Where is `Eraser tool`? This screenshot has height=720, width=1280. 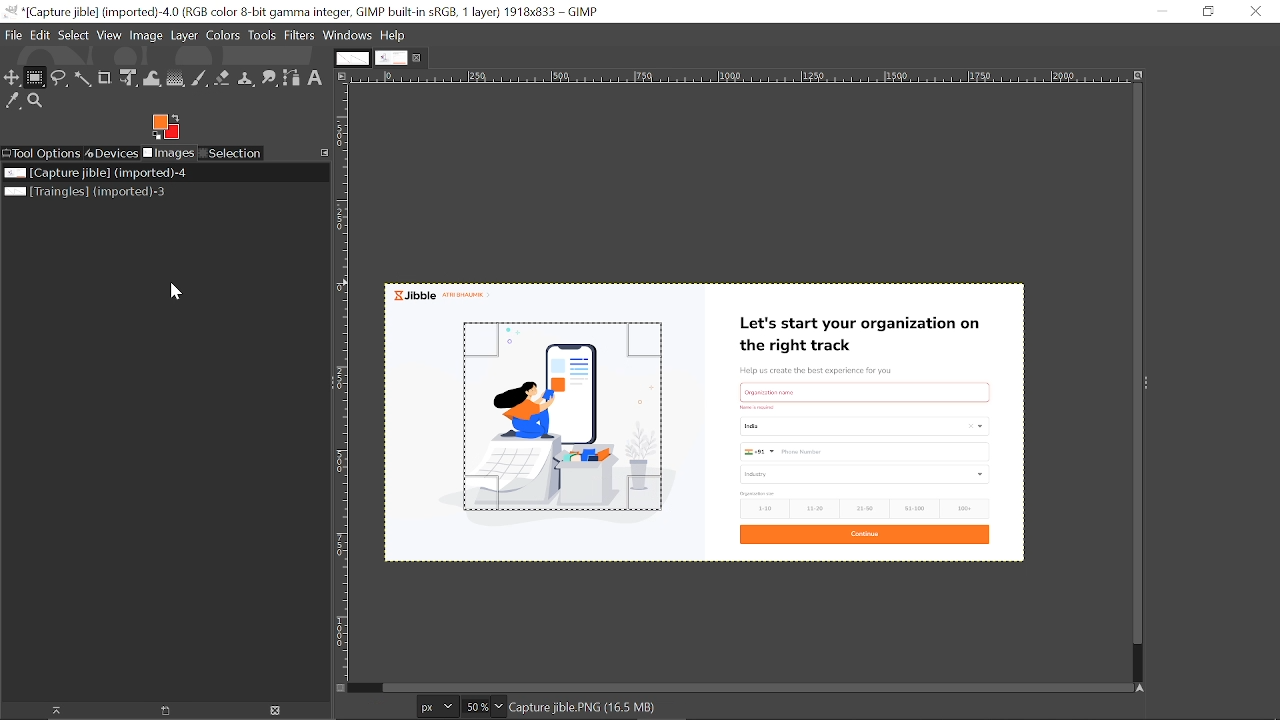
Eraser tool is located at coordinates (223, 77).